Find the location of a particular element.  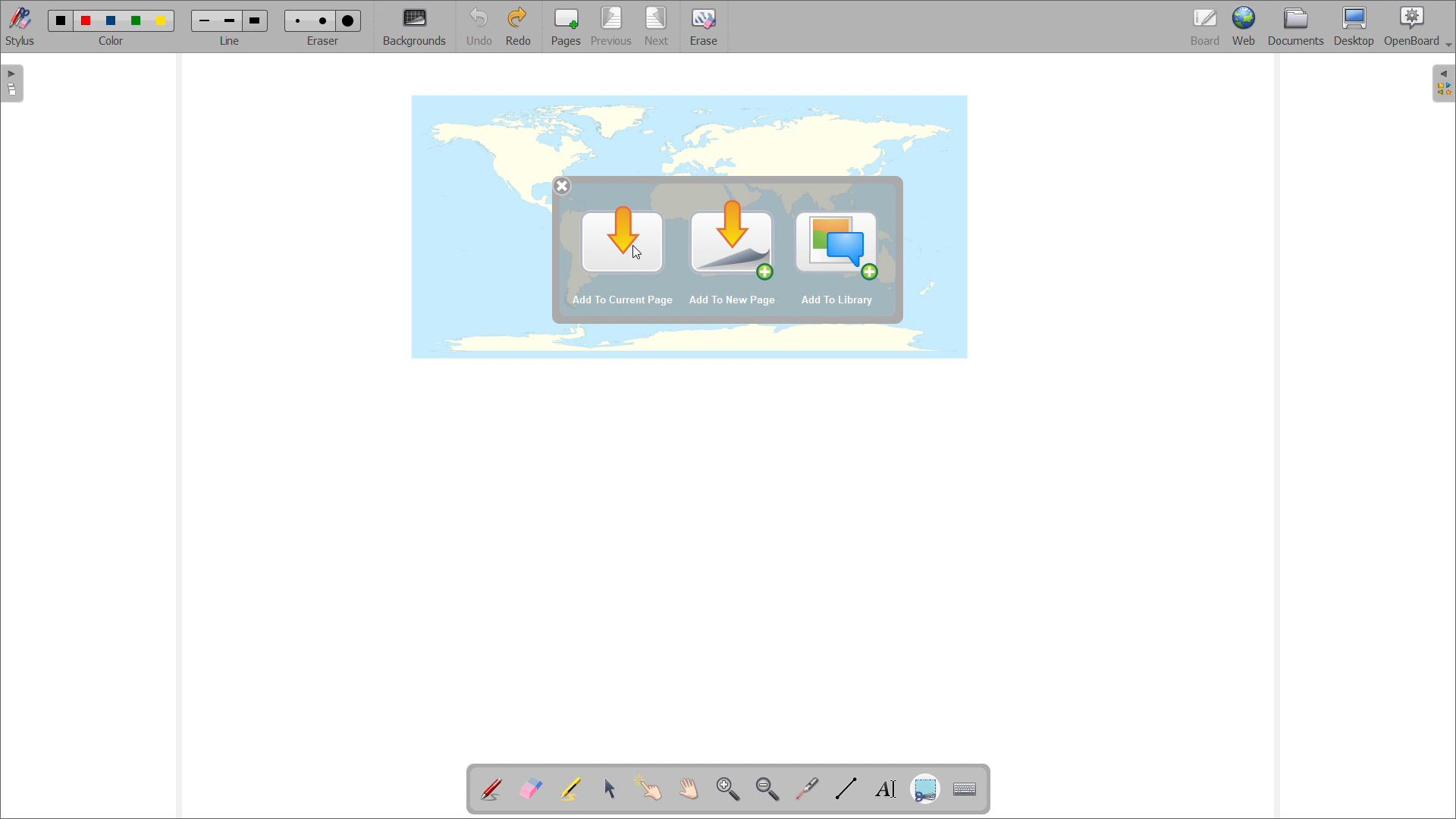

large is located at coordinates (347, 21).